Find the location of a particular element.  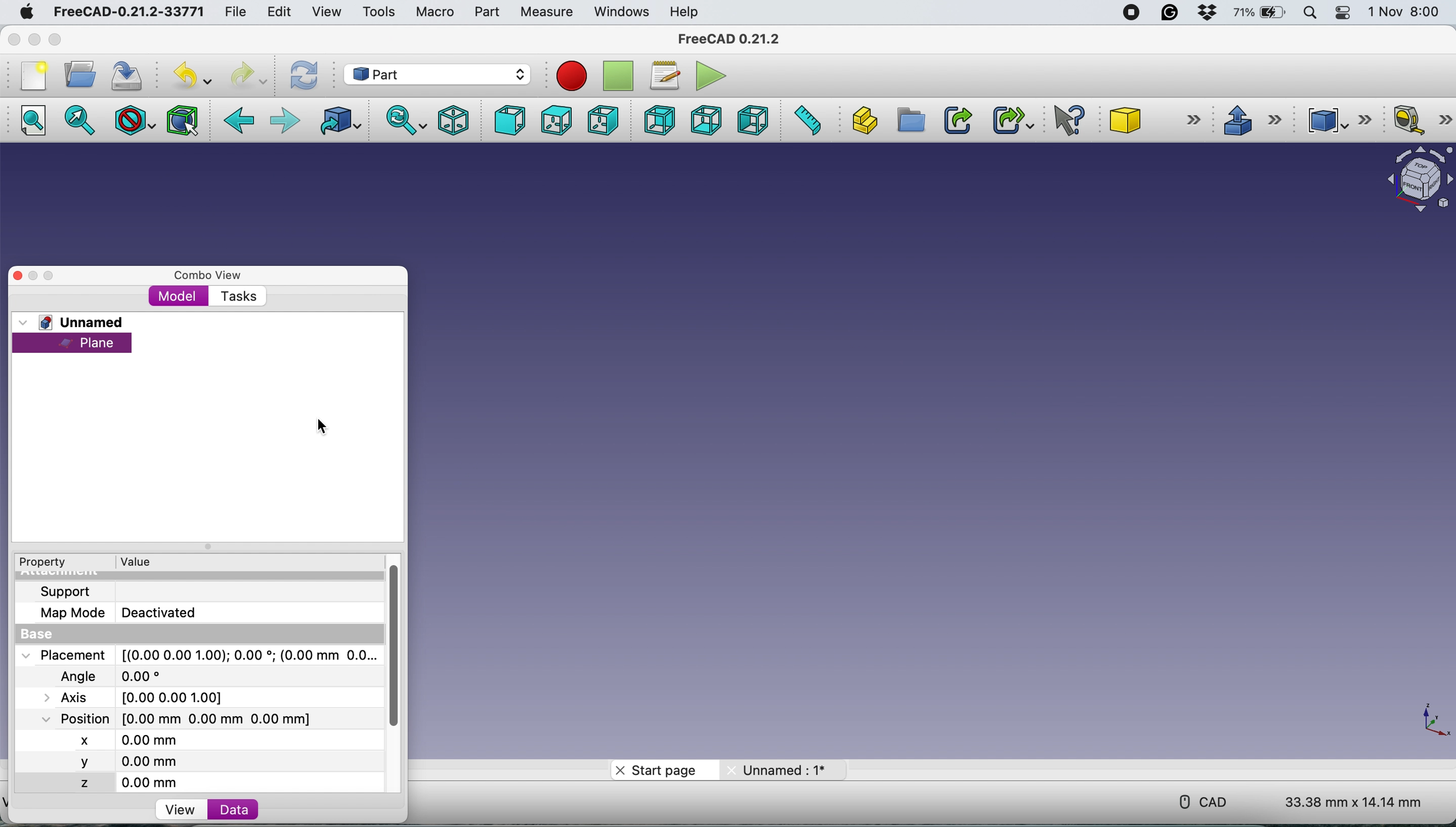

value is located at coordinates (142, 562).